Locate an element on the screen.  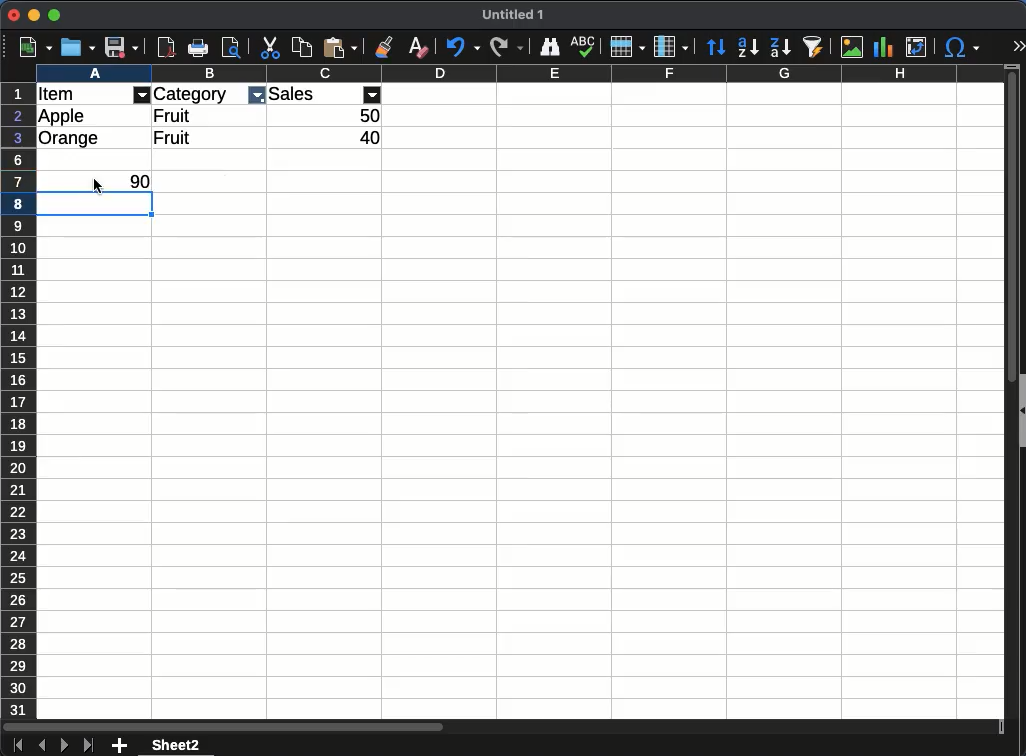
copy is located at coordinates (301, 49).